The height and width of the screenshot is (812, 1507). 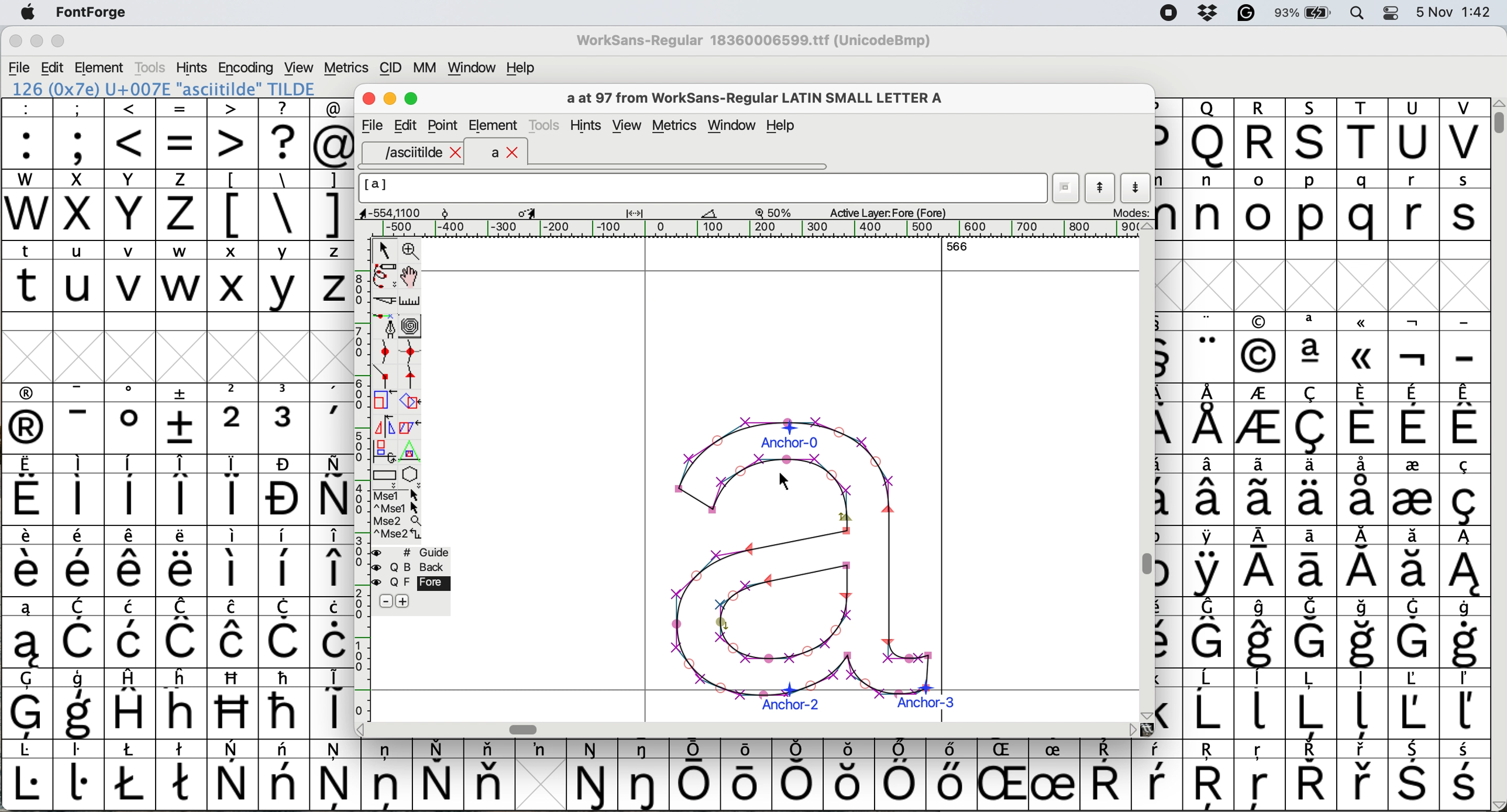 I want to click on symbol, so click(x=646, y=775).